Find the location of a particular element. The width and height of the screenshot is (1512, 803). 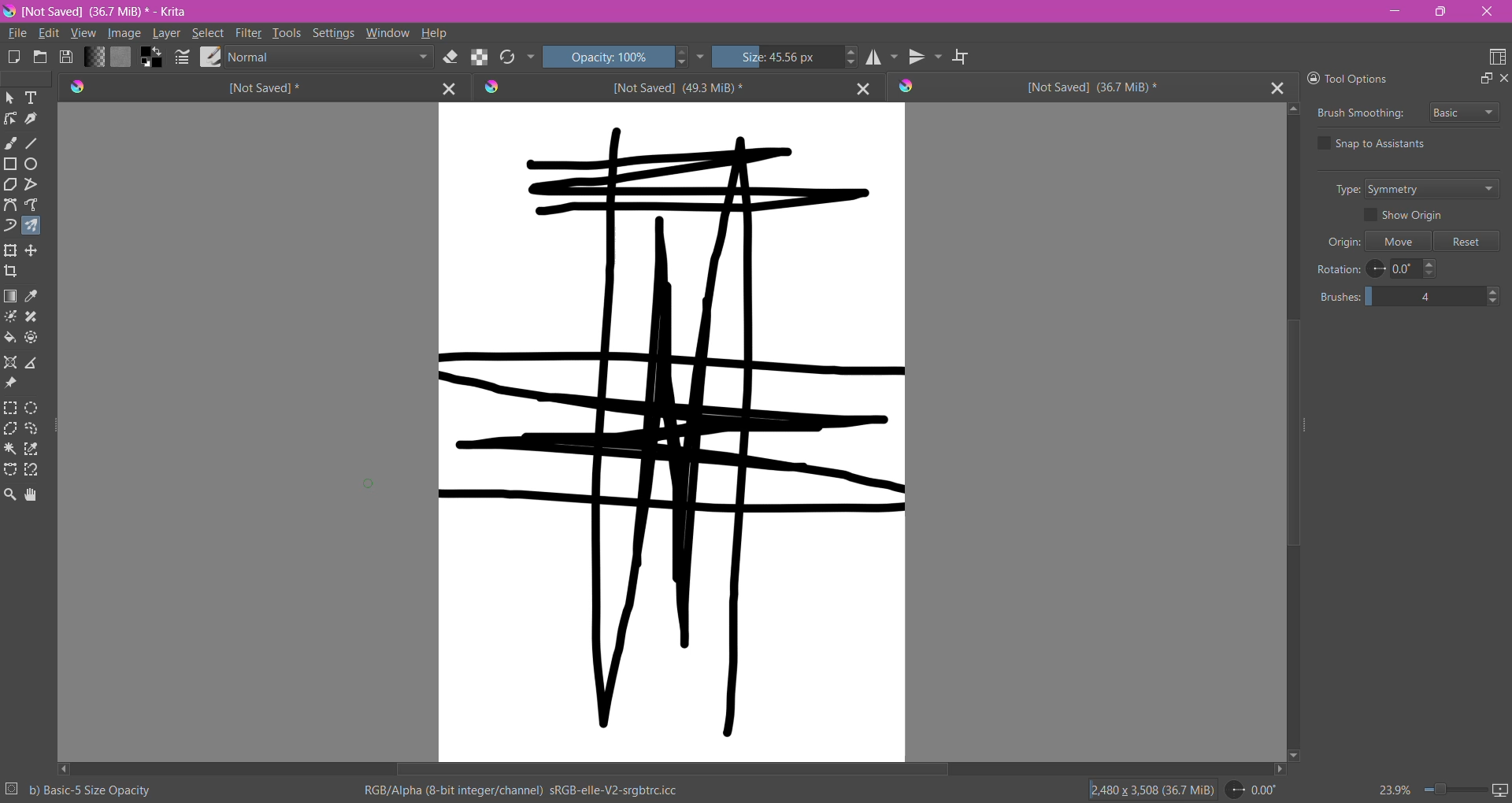

Freehand Brush Tool is located at coordinates (11, 142).